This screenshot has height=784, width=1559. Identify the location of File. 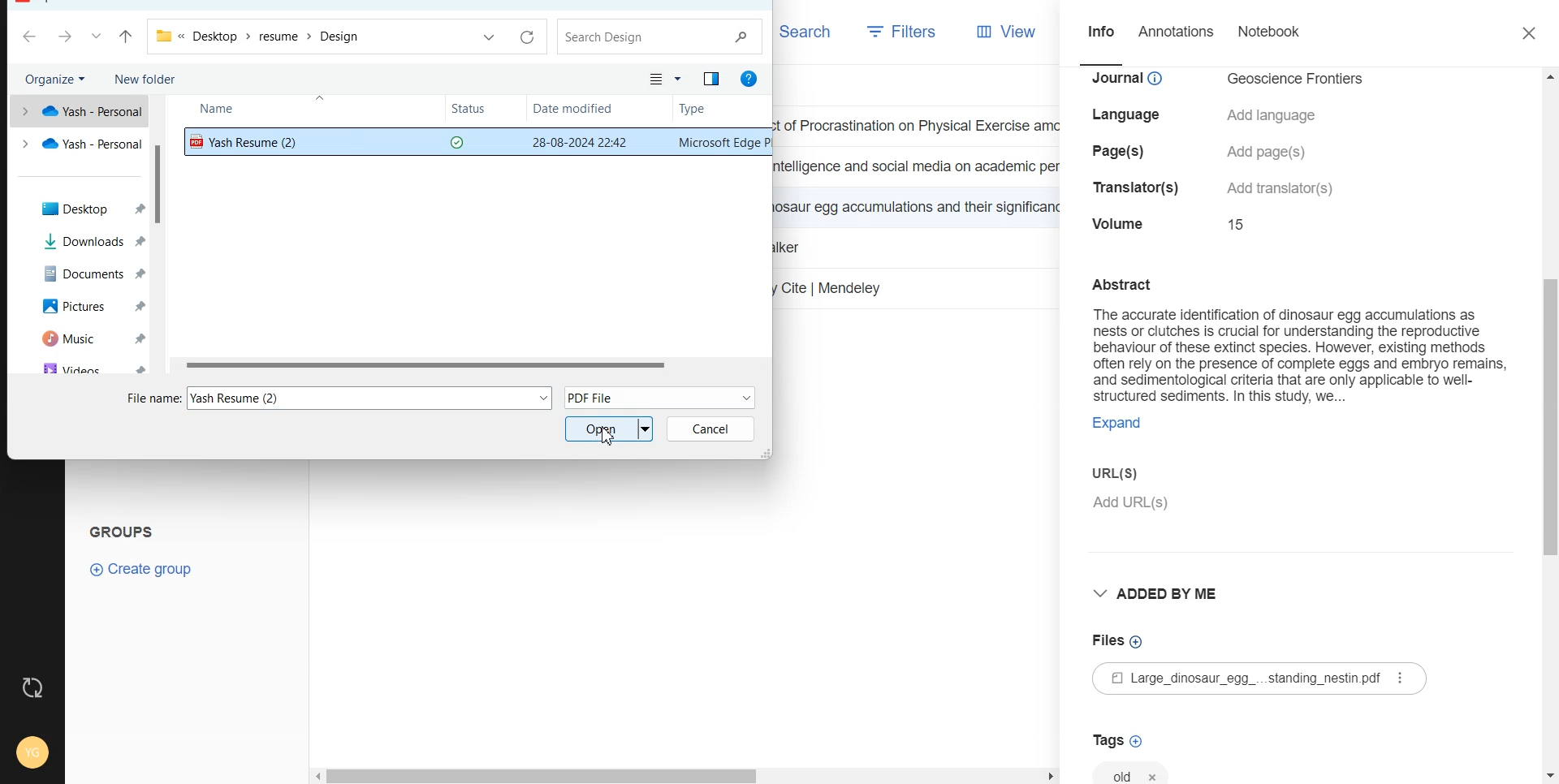
(1235, 680).